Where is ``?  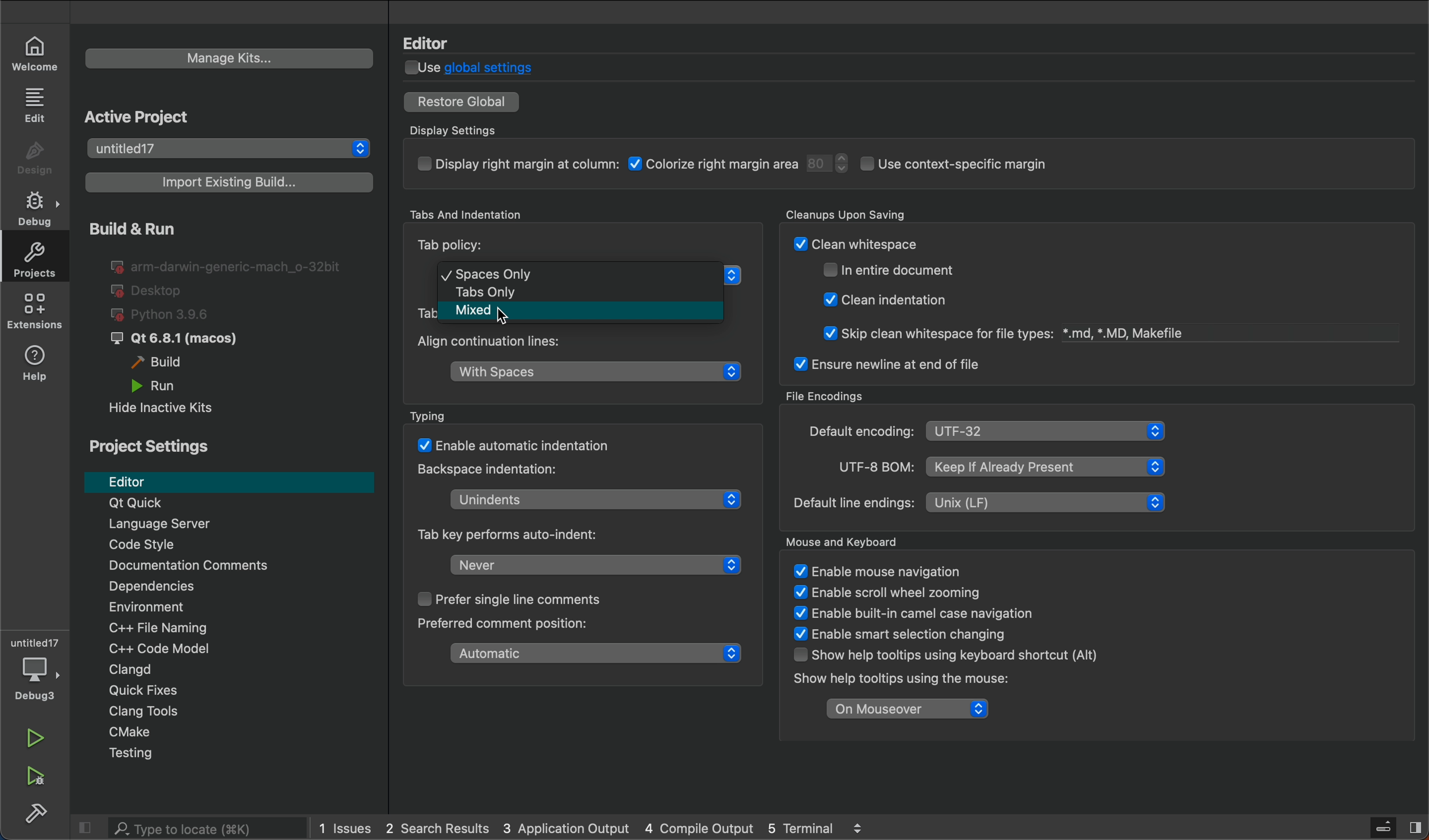
 is located at coordinates (504, 295).